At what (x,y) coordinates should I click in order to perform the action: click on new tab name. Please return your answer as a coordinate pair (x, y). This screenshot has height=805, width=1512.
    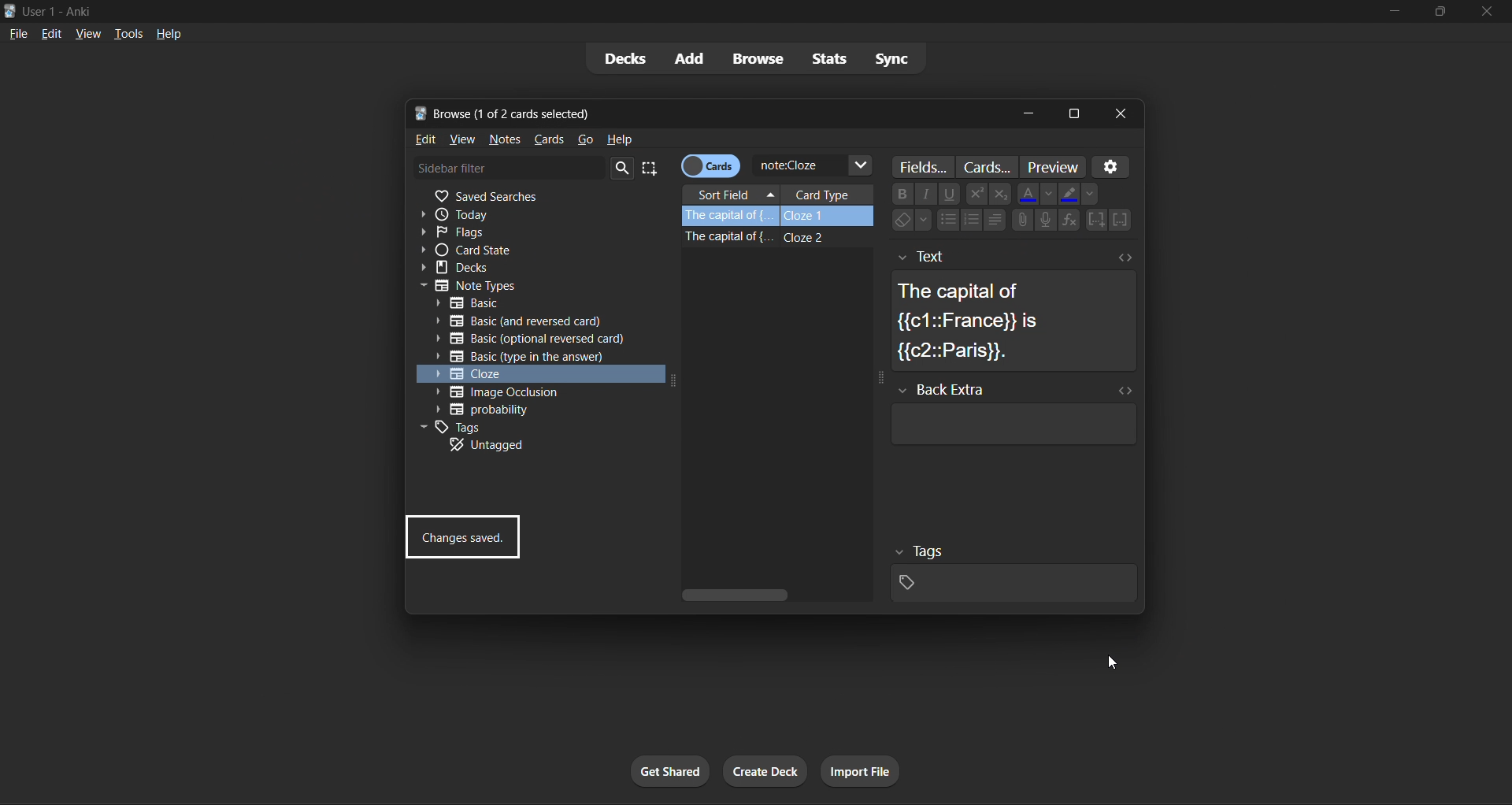
    Looking at the image, I should click on (708, 114).